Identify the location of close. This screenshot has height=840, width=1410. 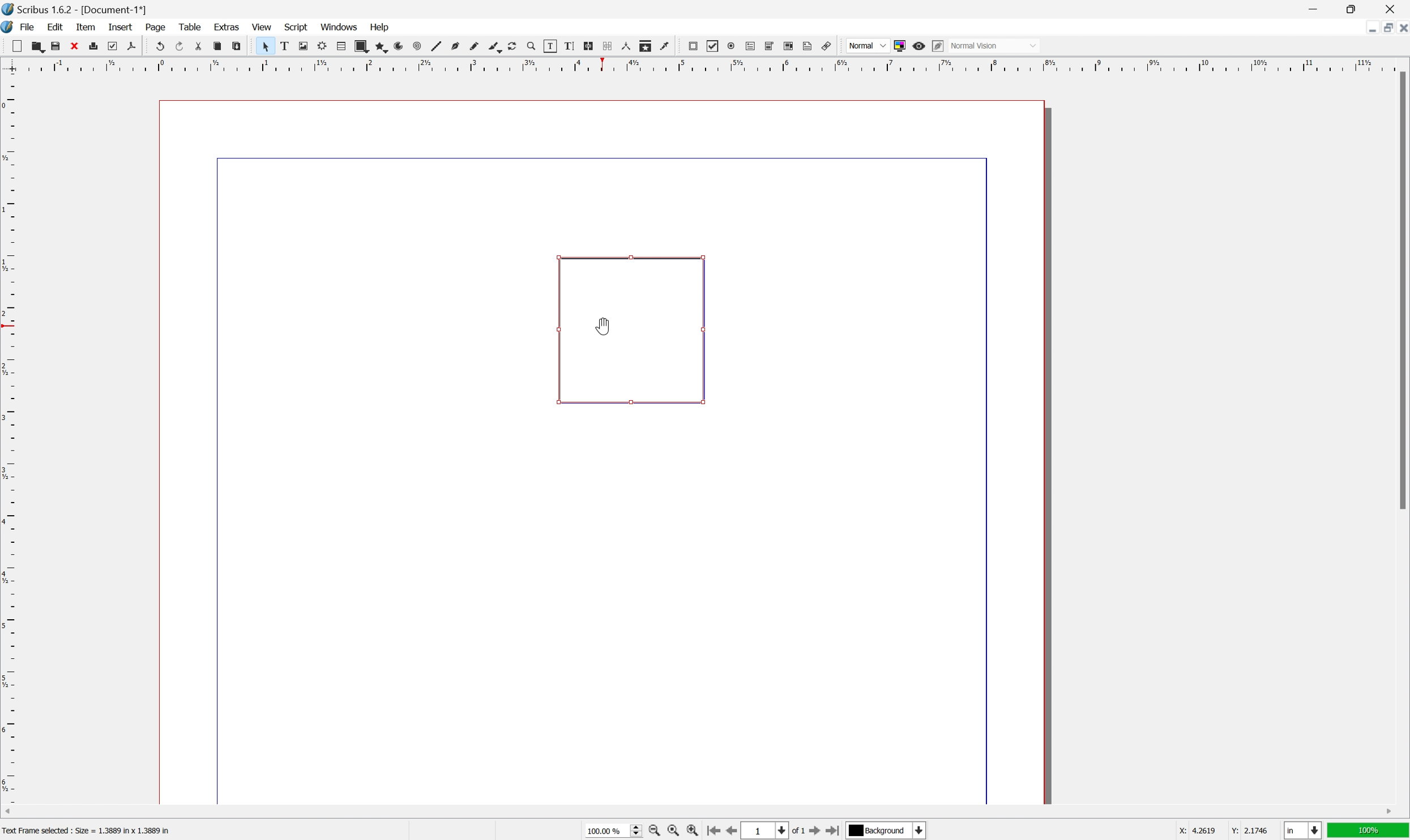
(1401, 30).